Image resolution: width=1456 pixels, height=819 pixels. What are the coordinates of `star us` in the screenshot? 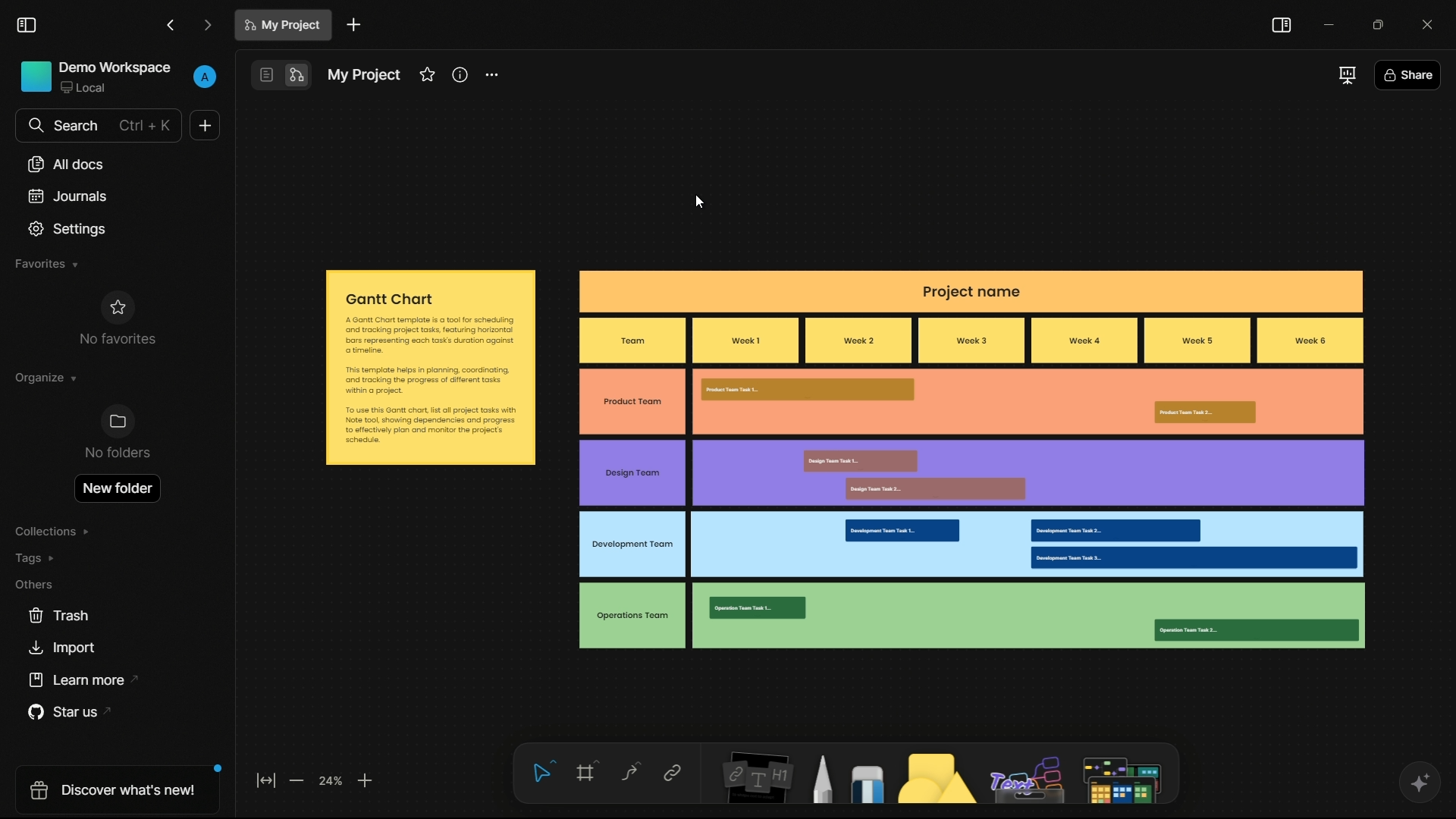 It's located at (64, 712).